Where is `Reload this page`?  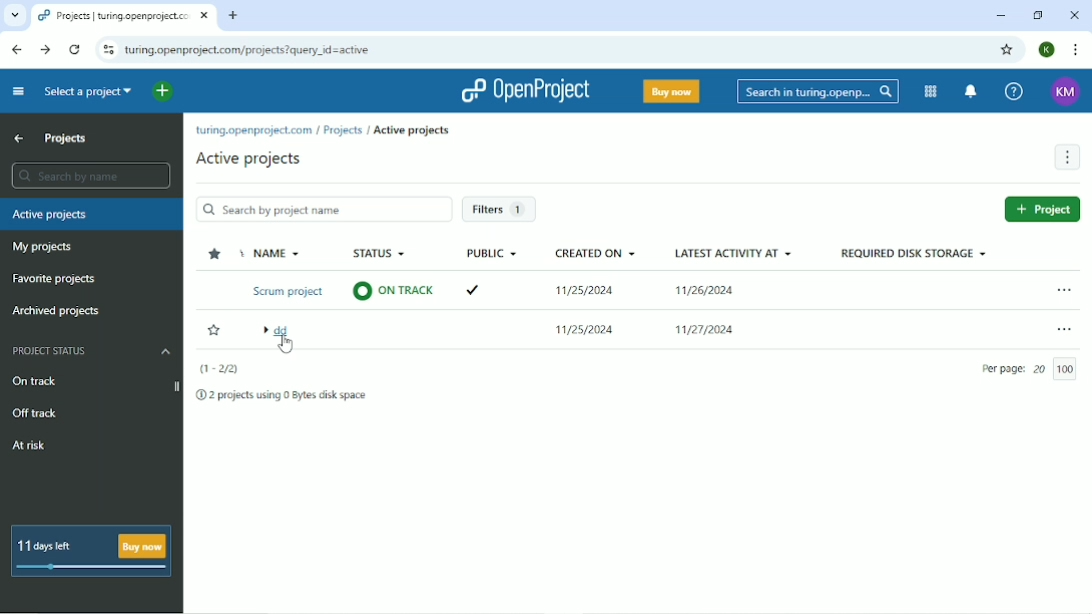
Reload this page is located at coordinates (74, 48).